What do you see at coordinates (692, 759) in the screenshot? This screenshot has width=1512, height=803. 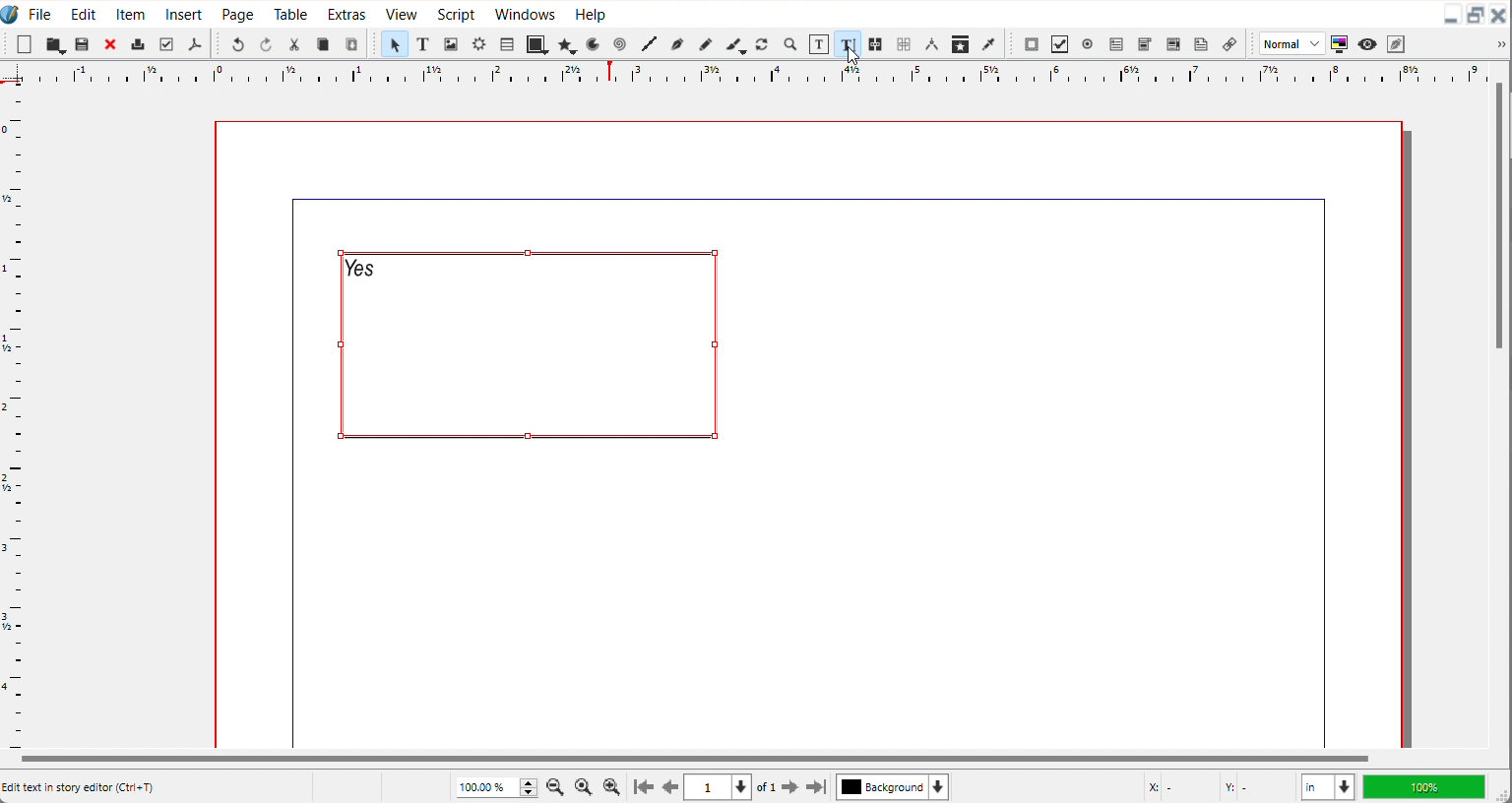 I see `Horizontal Scroll bar` at bounding box center [692, 759].